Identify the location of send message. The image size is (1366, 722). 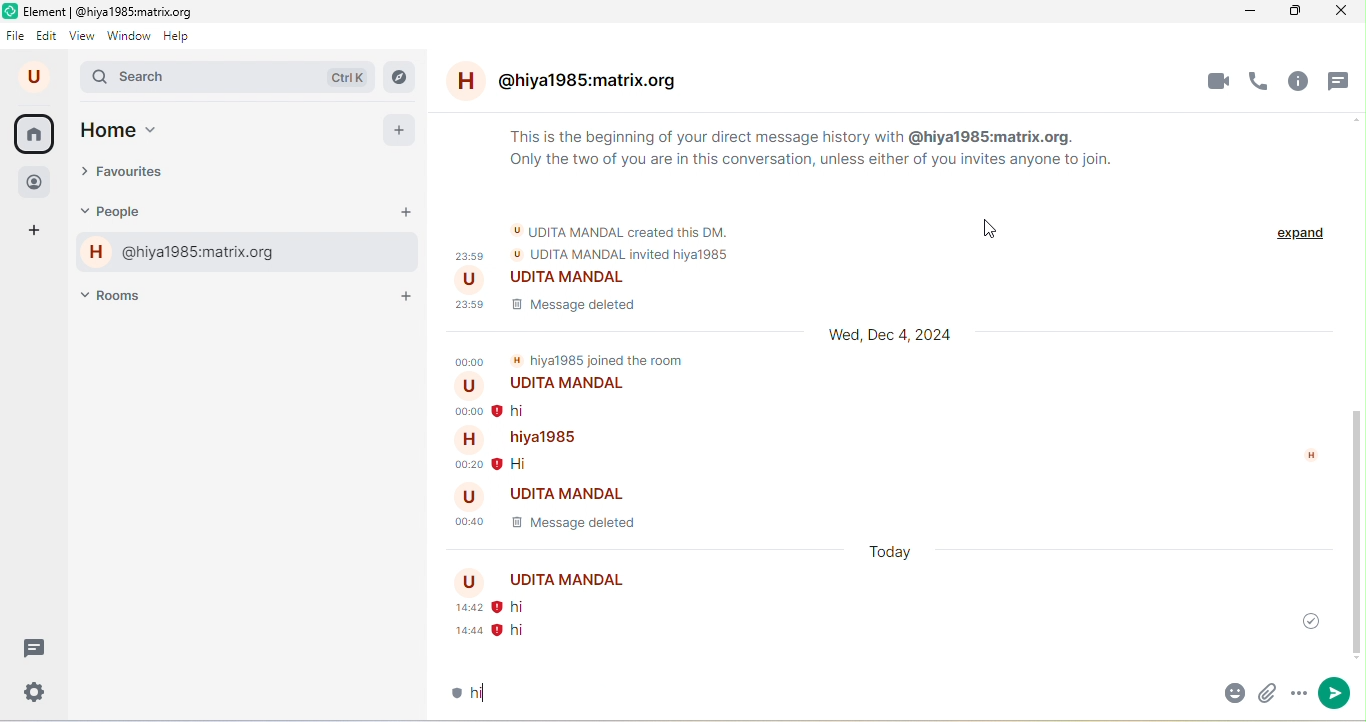
(1335, 693).